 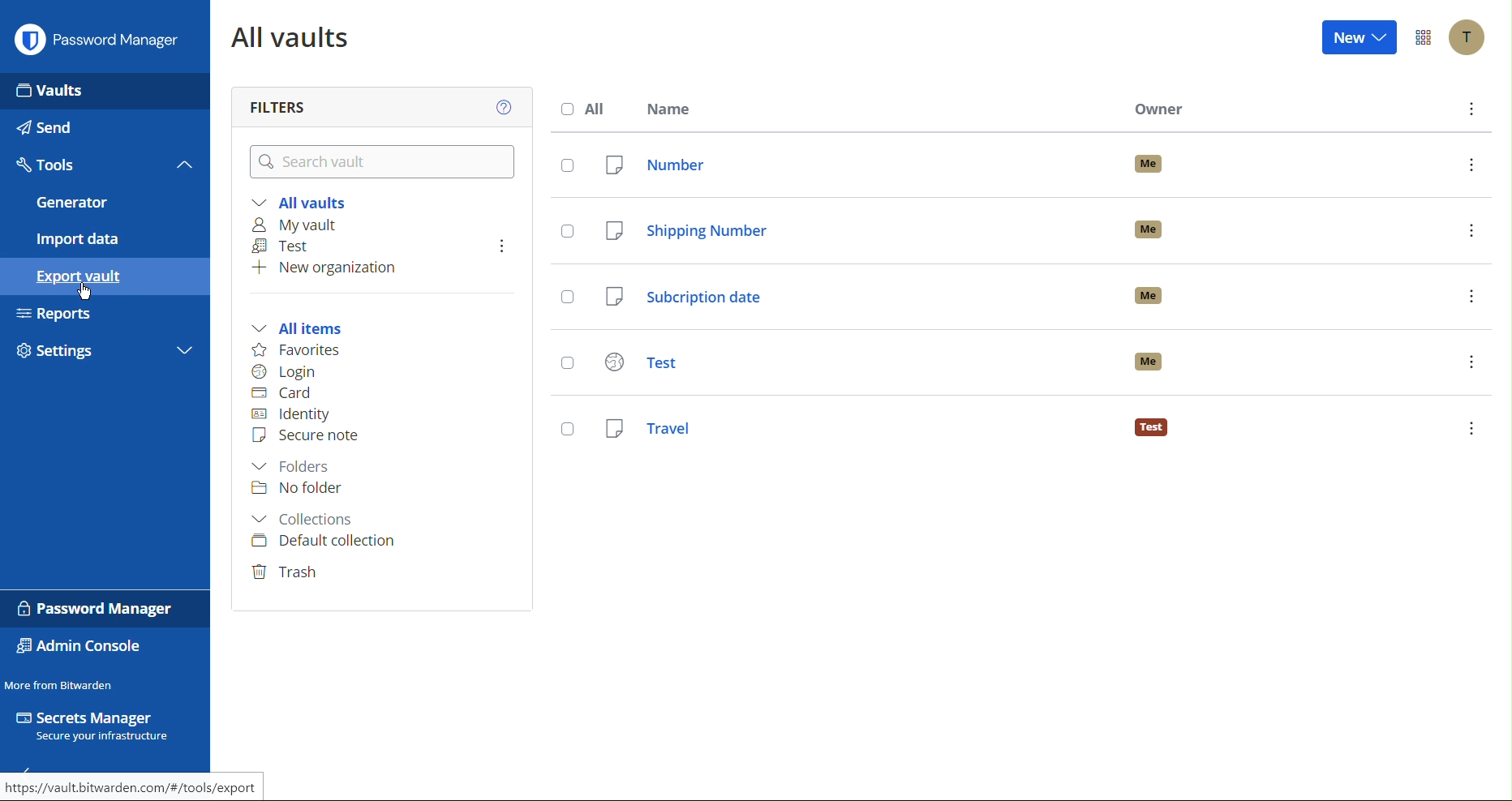 What do you see at coordinates (300, 202) in the screenshot?
I see `All vaults` at bounding box center [300, 202].